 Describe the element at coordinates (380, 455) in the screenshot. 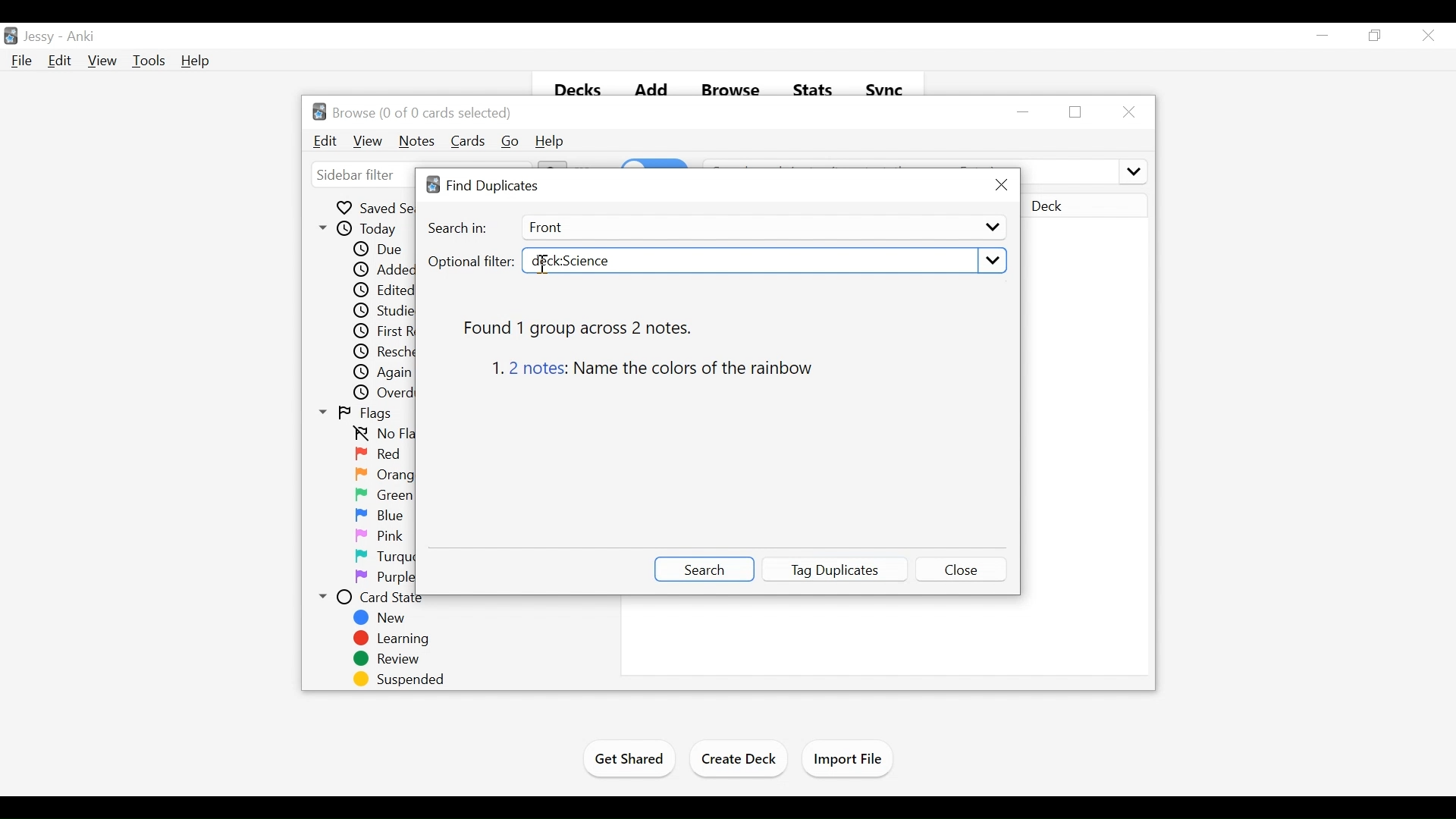

I see `Red` at that location.